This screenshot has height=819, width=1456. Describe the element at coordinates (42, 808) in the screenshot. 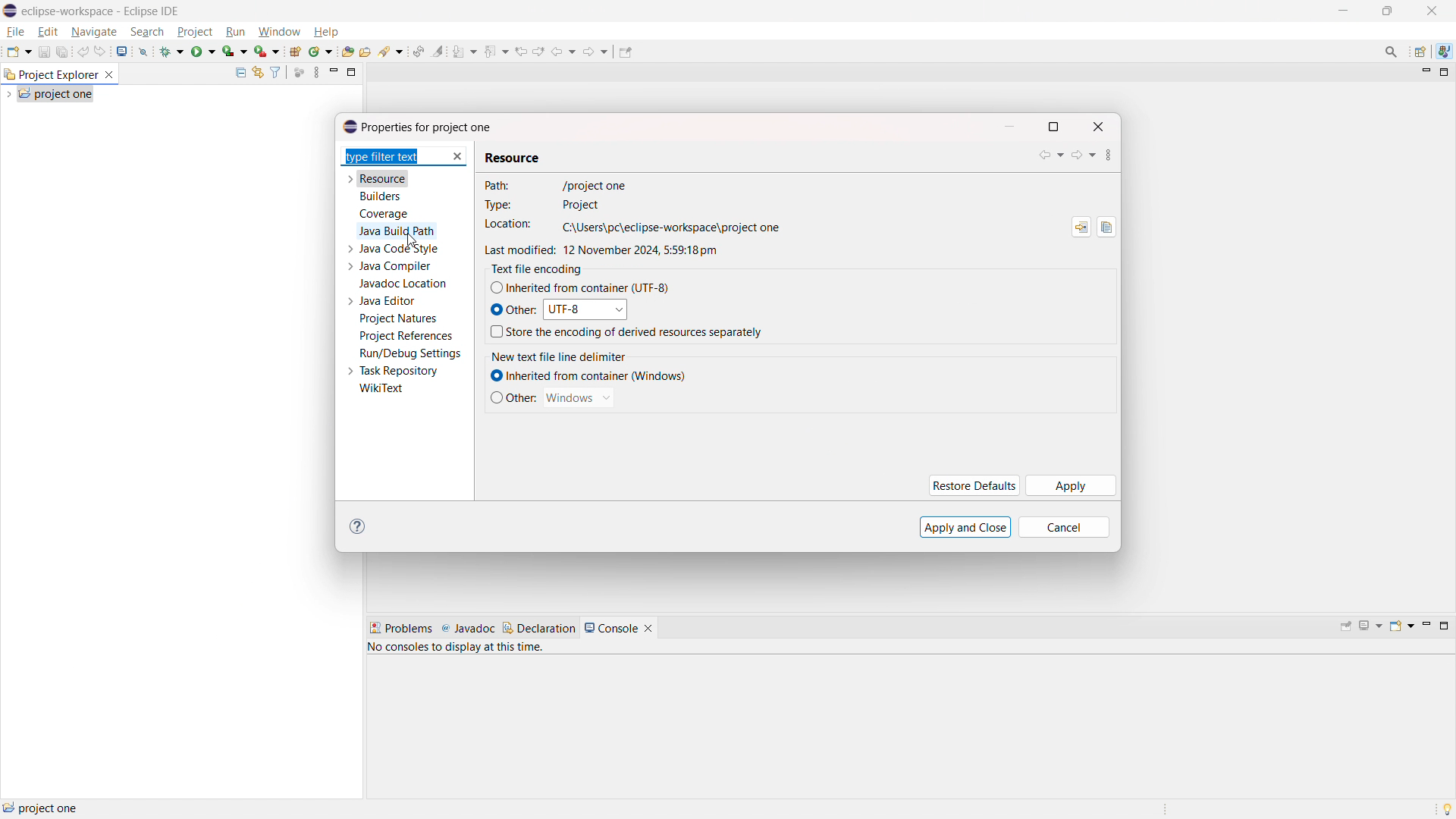

I see `project one` at that location.